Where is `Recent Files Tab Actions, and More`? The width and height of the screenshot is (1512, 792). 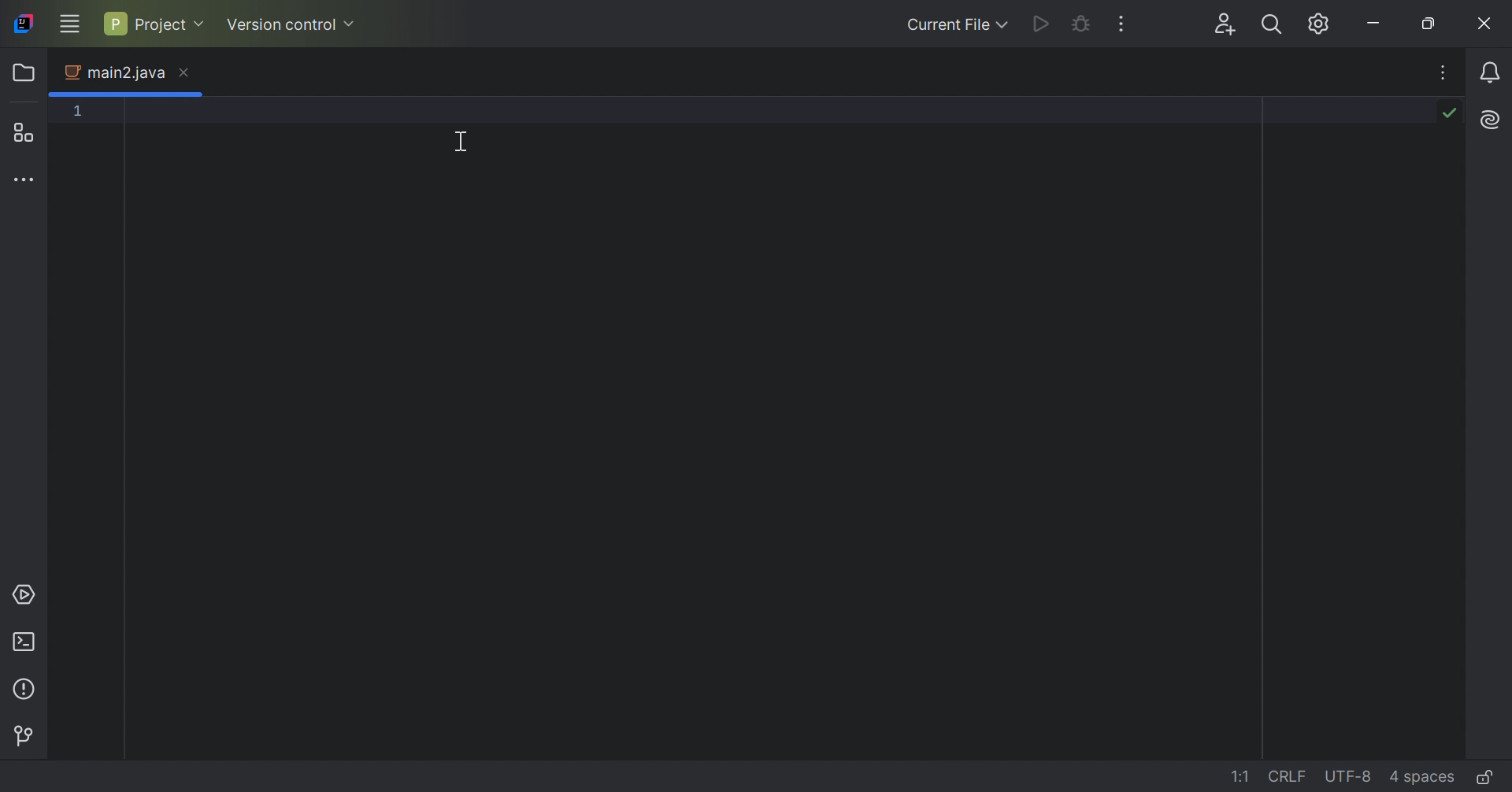
Recent Files Tab Actions, and More is located at coordinates (1445, 73).